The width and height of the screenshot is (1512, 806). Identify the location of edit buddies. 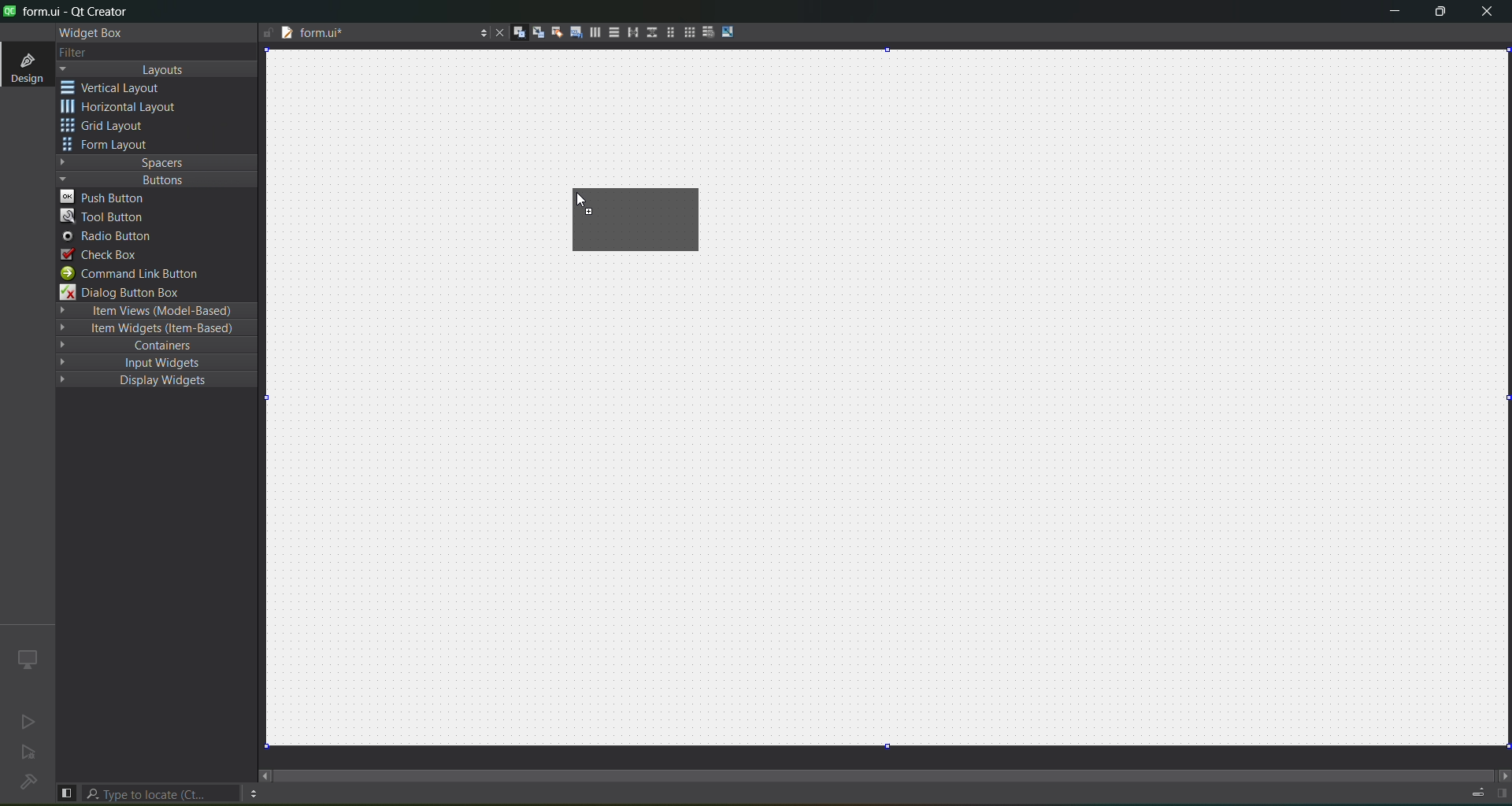
(554, 31).